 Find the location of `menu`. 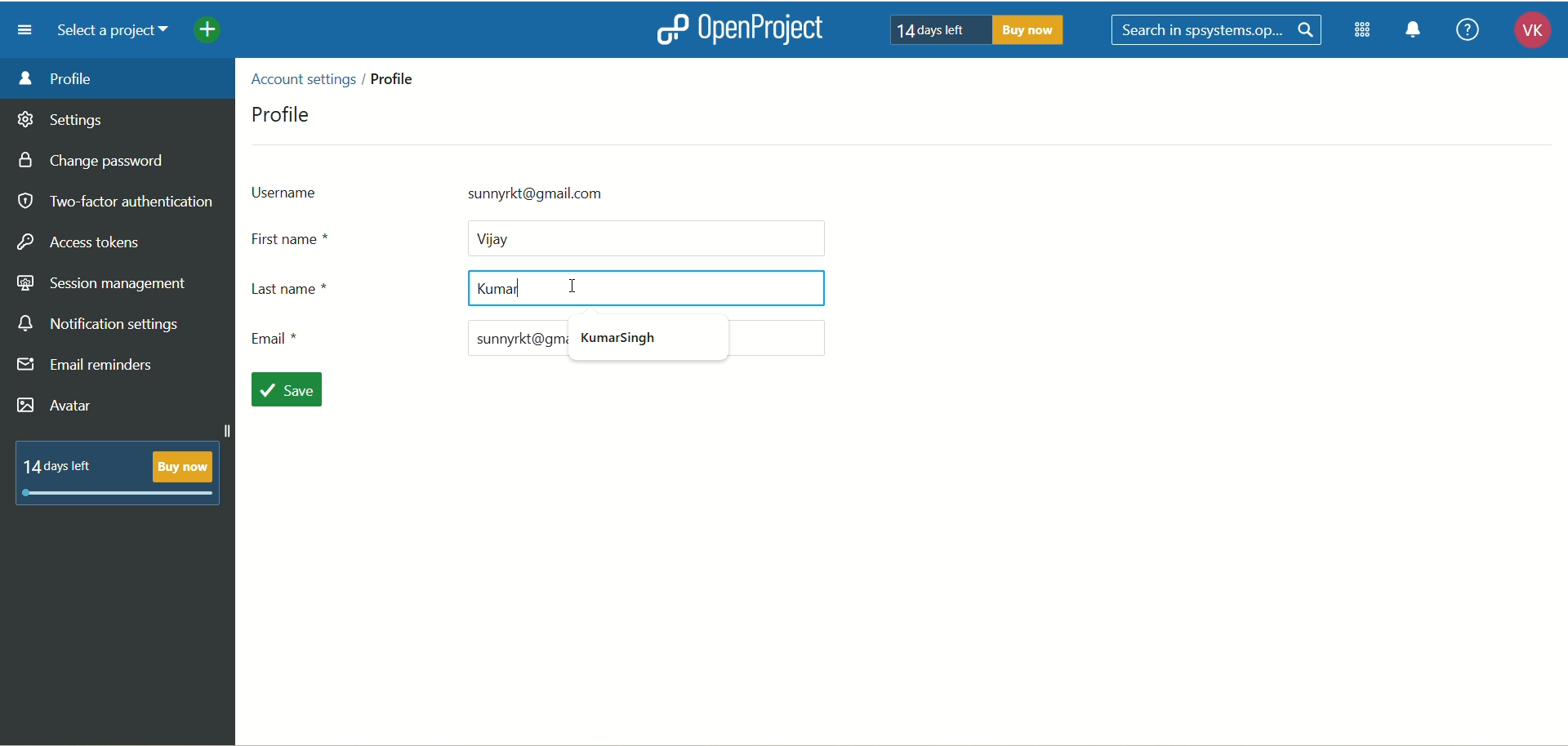

menu is located at coordinates (29, 30).